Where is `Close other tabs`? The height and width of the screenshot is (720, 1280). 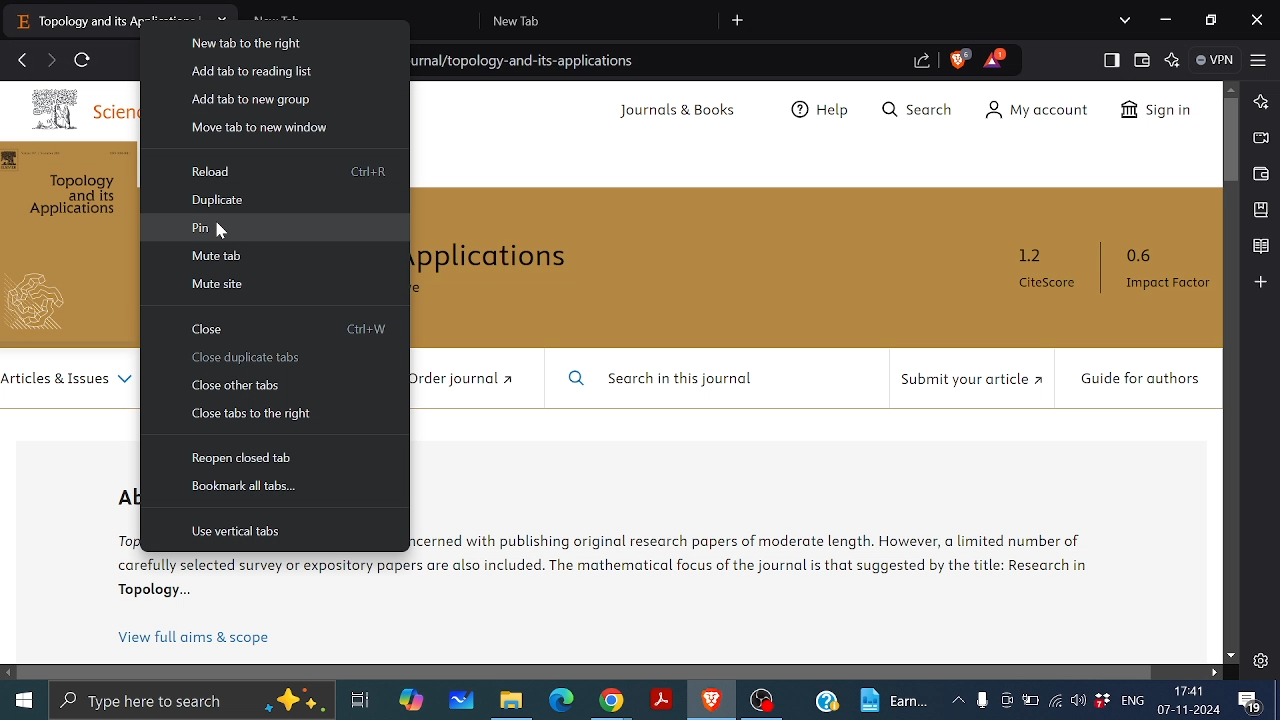
Close other tabs is located at coordinates (243, 386).